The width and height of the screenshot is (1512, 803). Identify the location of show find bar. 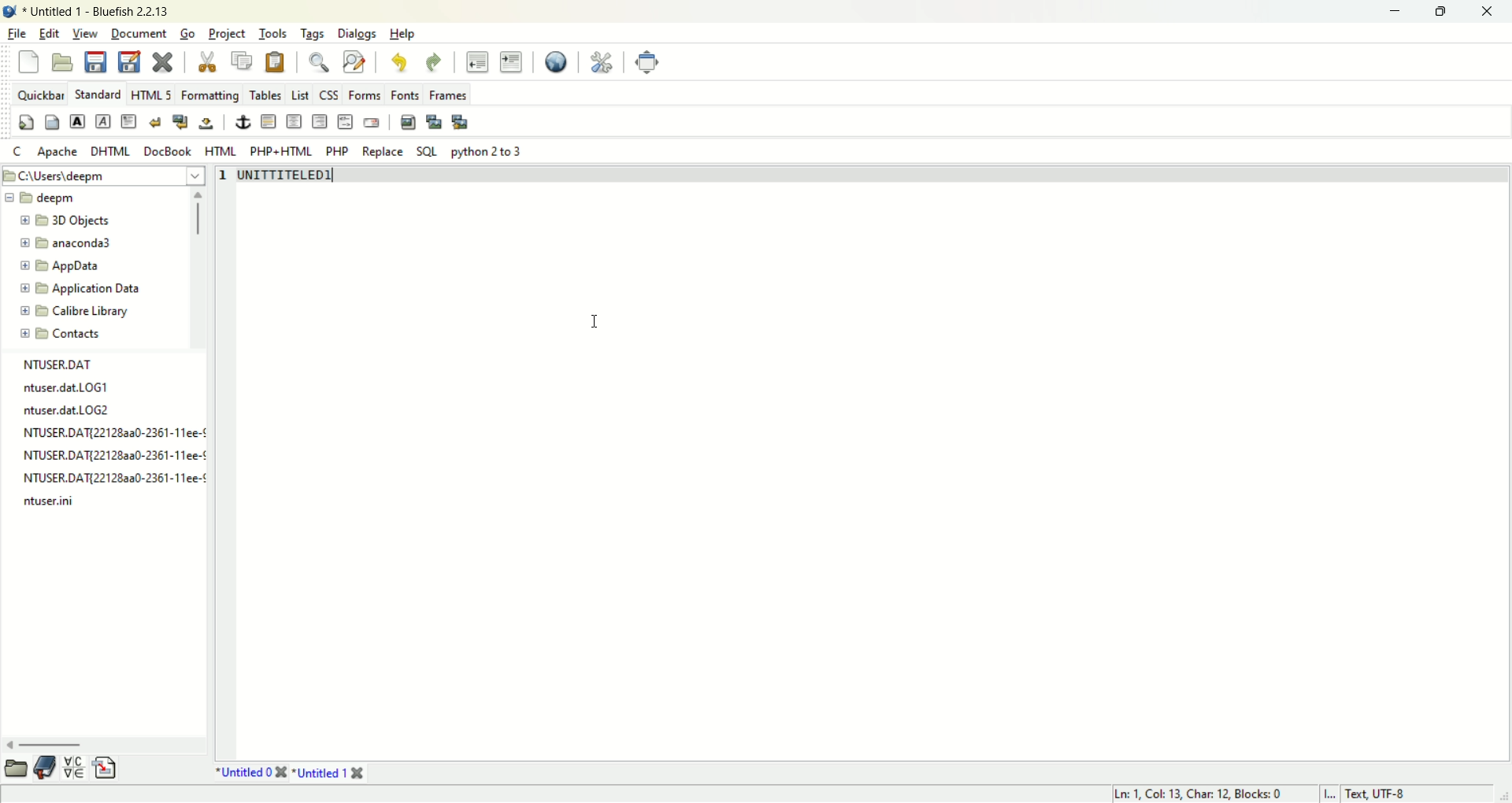
(319, 62).